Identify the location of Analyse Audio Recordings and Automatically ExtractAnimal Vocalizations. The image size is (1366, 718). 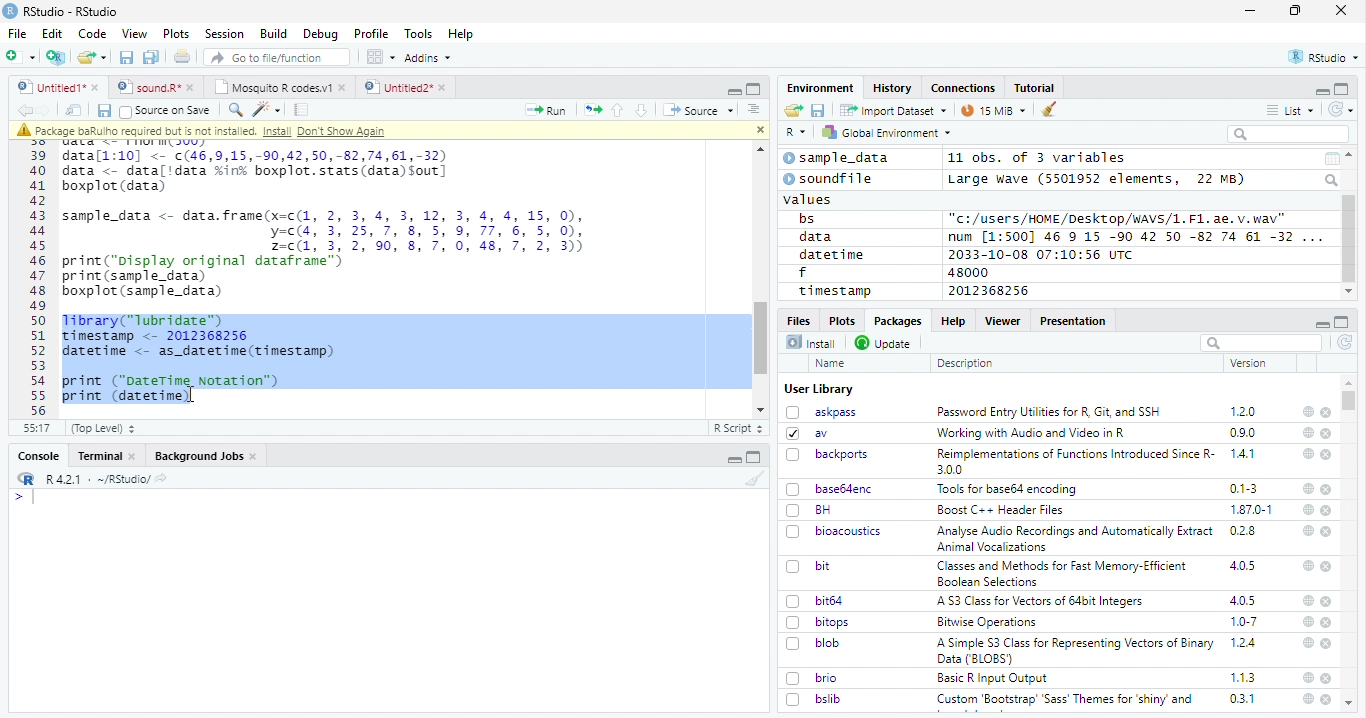
(1071, 538).